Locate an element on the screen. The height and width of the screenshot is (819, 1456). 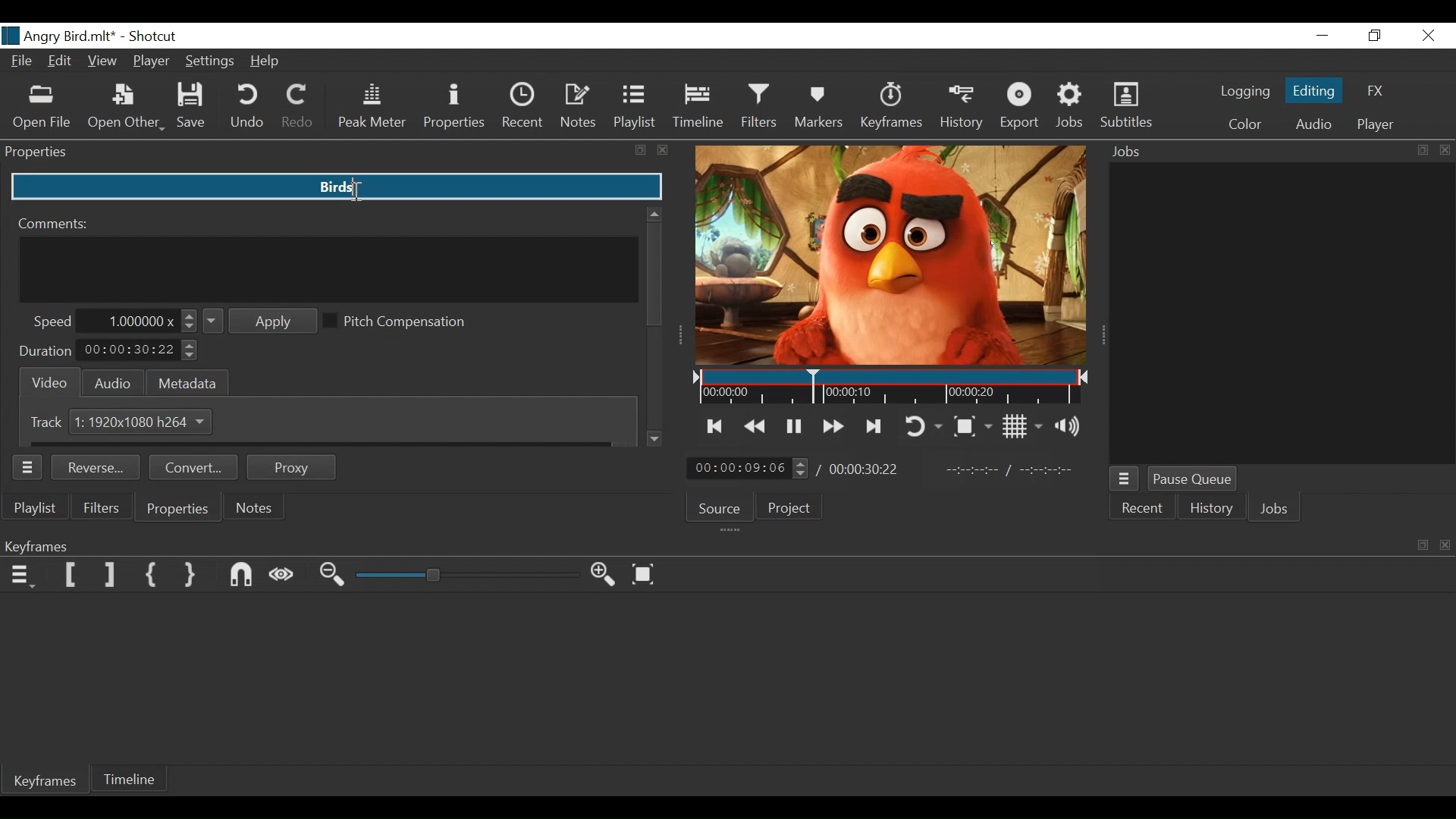
File name is located at coordinates (58, 36).